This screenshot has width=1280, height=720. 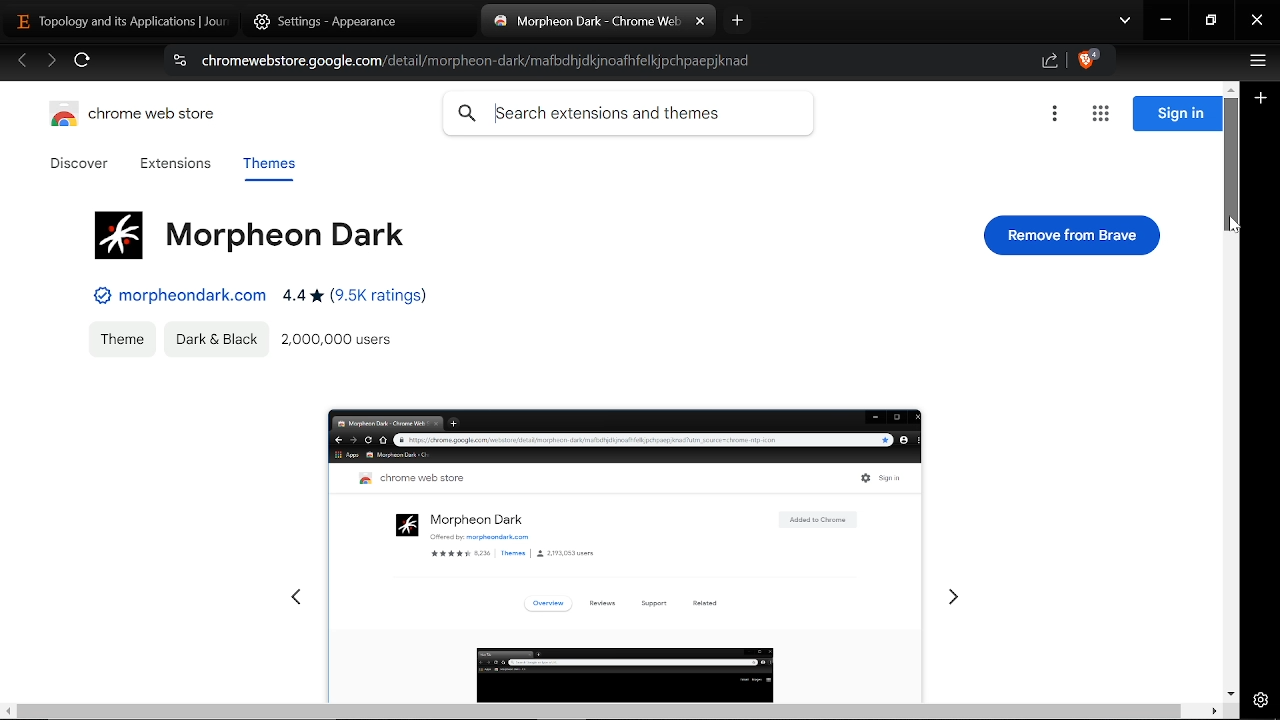 What do you see at coordinates (1213, 711) in the screenshot?
I see `MOve right` at bounding box center [1213, 711].